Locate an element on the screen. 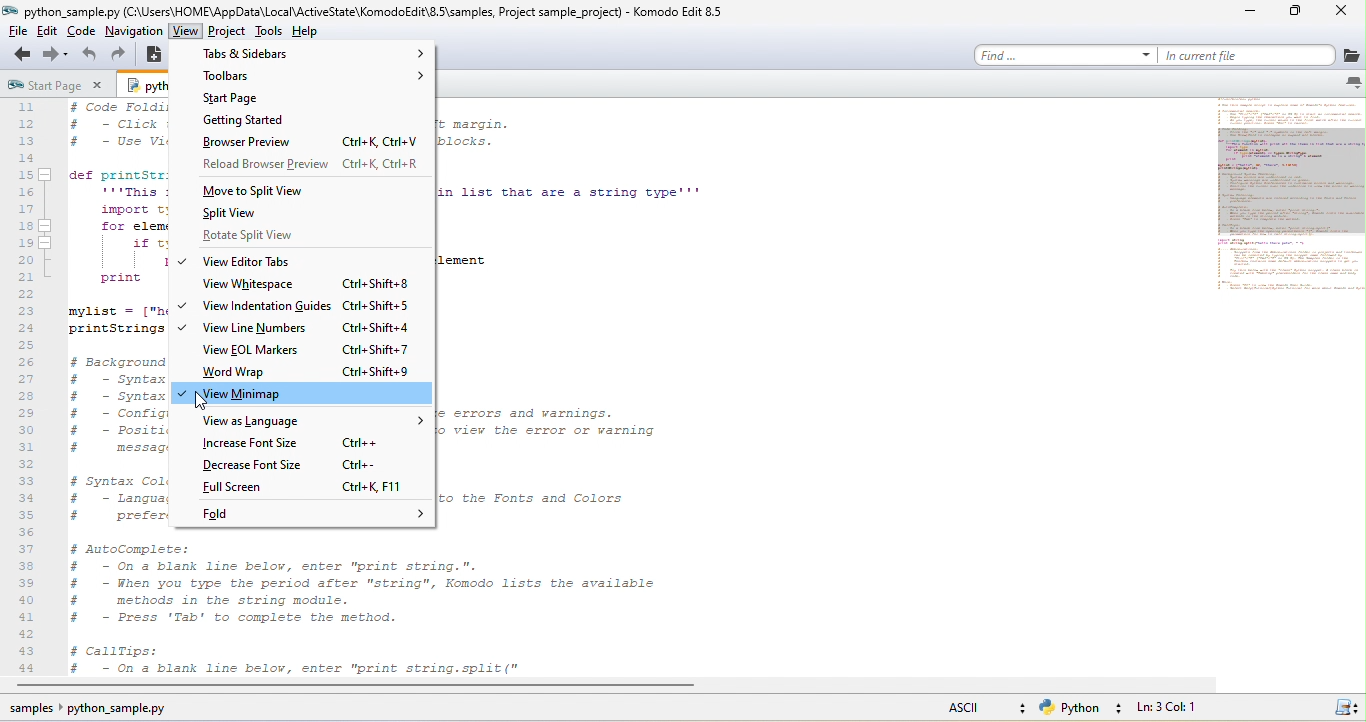 The width and height of the screenshot is (1366, 722). fold is located at coordinates (302, 514).